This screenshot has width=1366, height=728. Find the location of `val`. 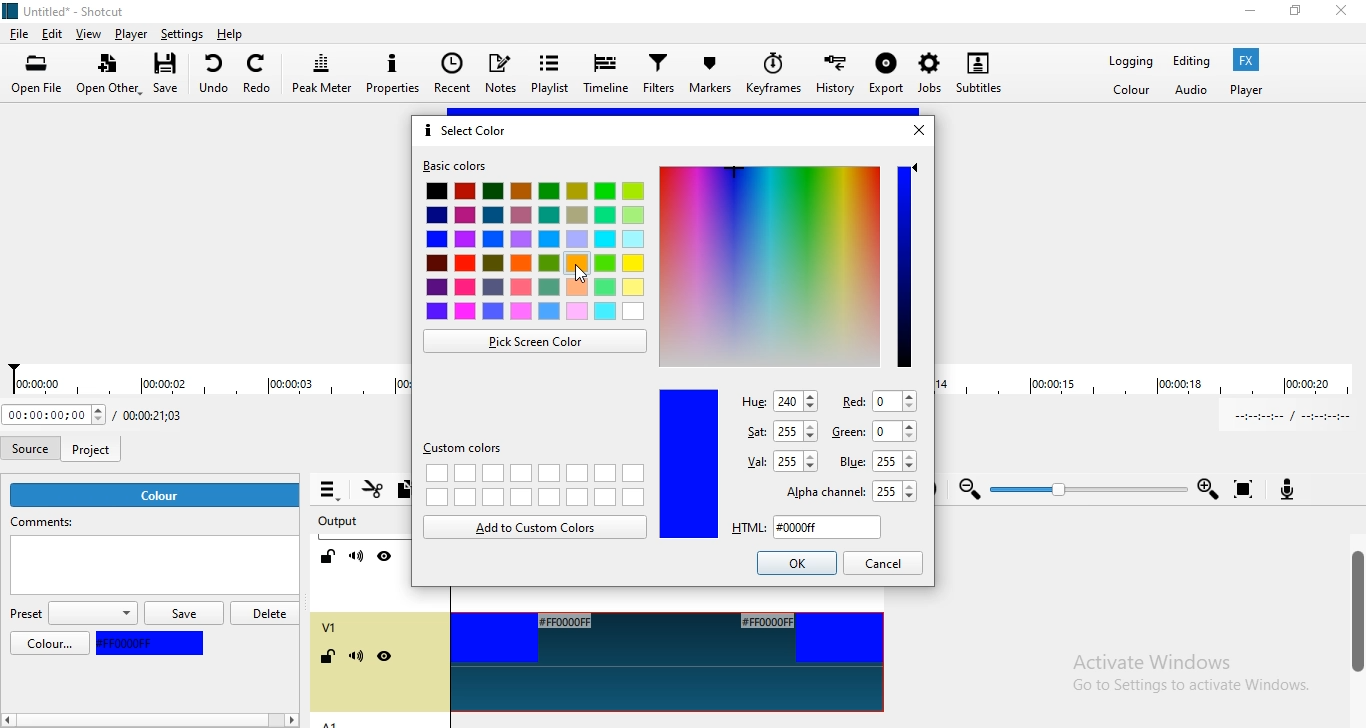

val is located at coordinates (779, 461).